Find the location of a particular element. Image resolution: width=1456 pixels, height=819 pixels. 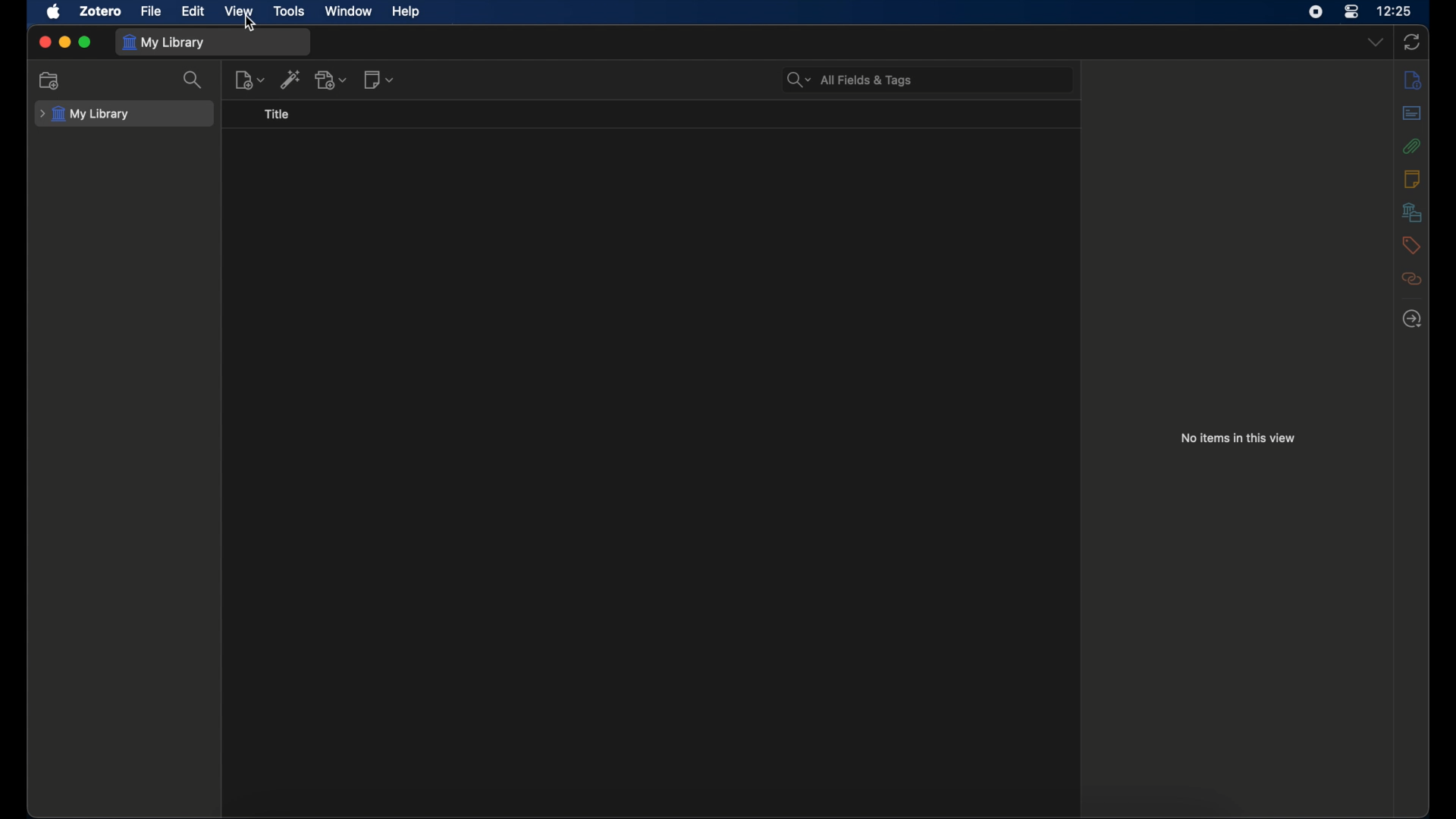

new collection is located at coordinates (49, 81).